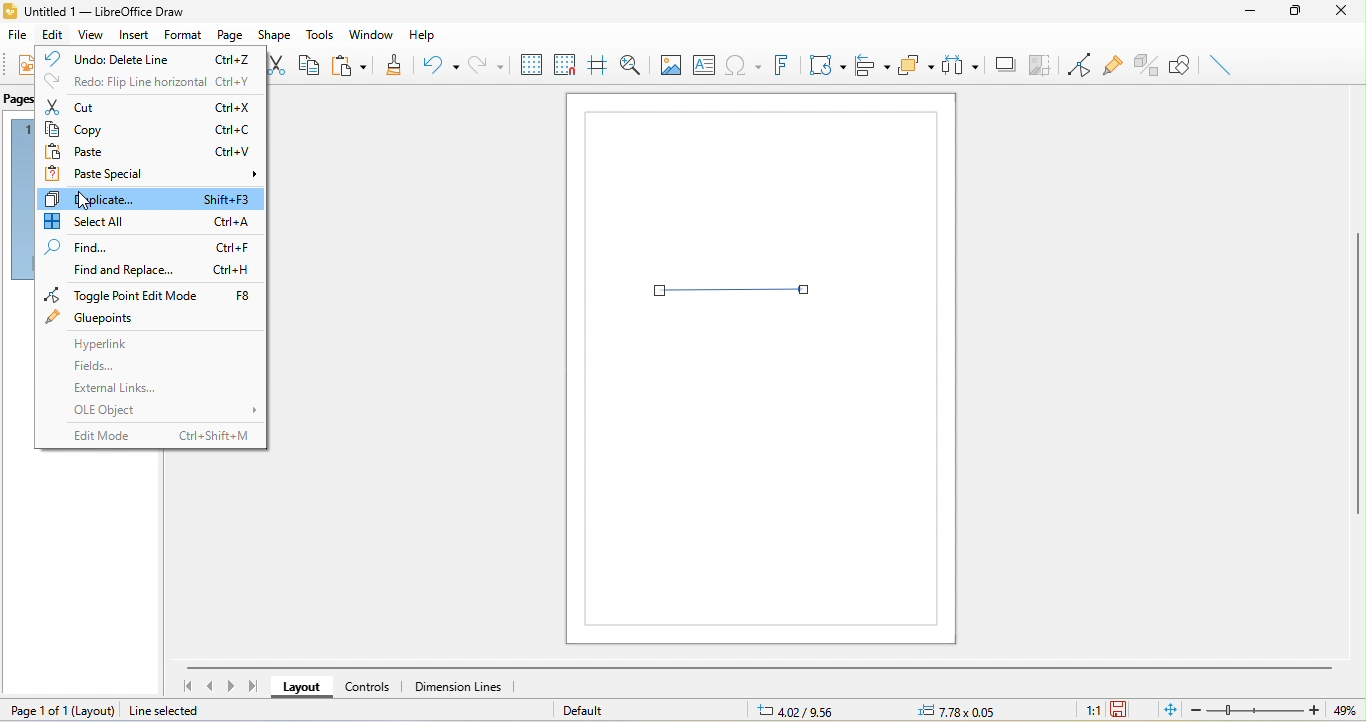 The height and width of the screenshot is (722, 1366). I want to click on fields, so click(105, 366).